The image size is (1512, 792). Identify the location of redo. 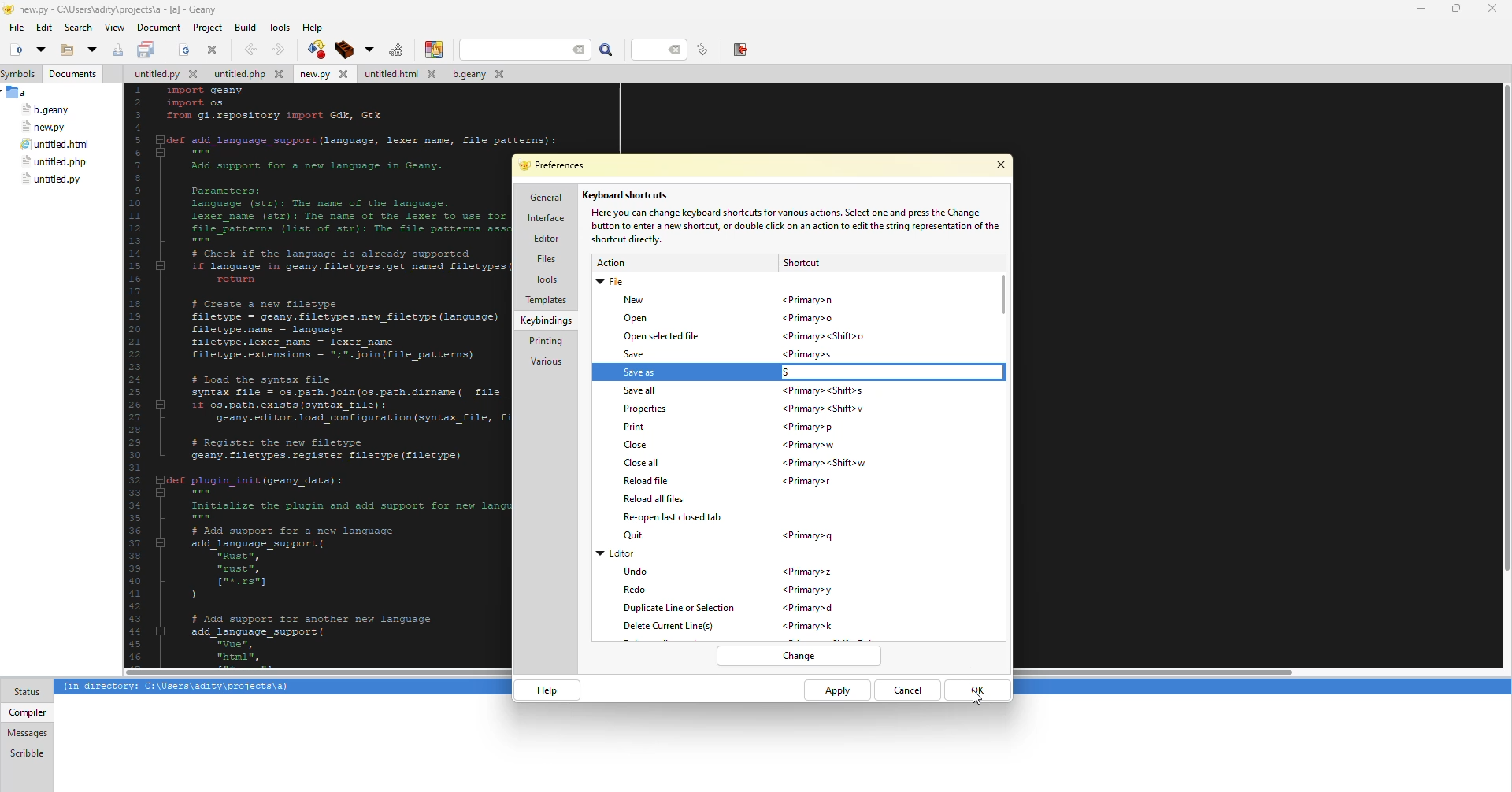
(636, 590).